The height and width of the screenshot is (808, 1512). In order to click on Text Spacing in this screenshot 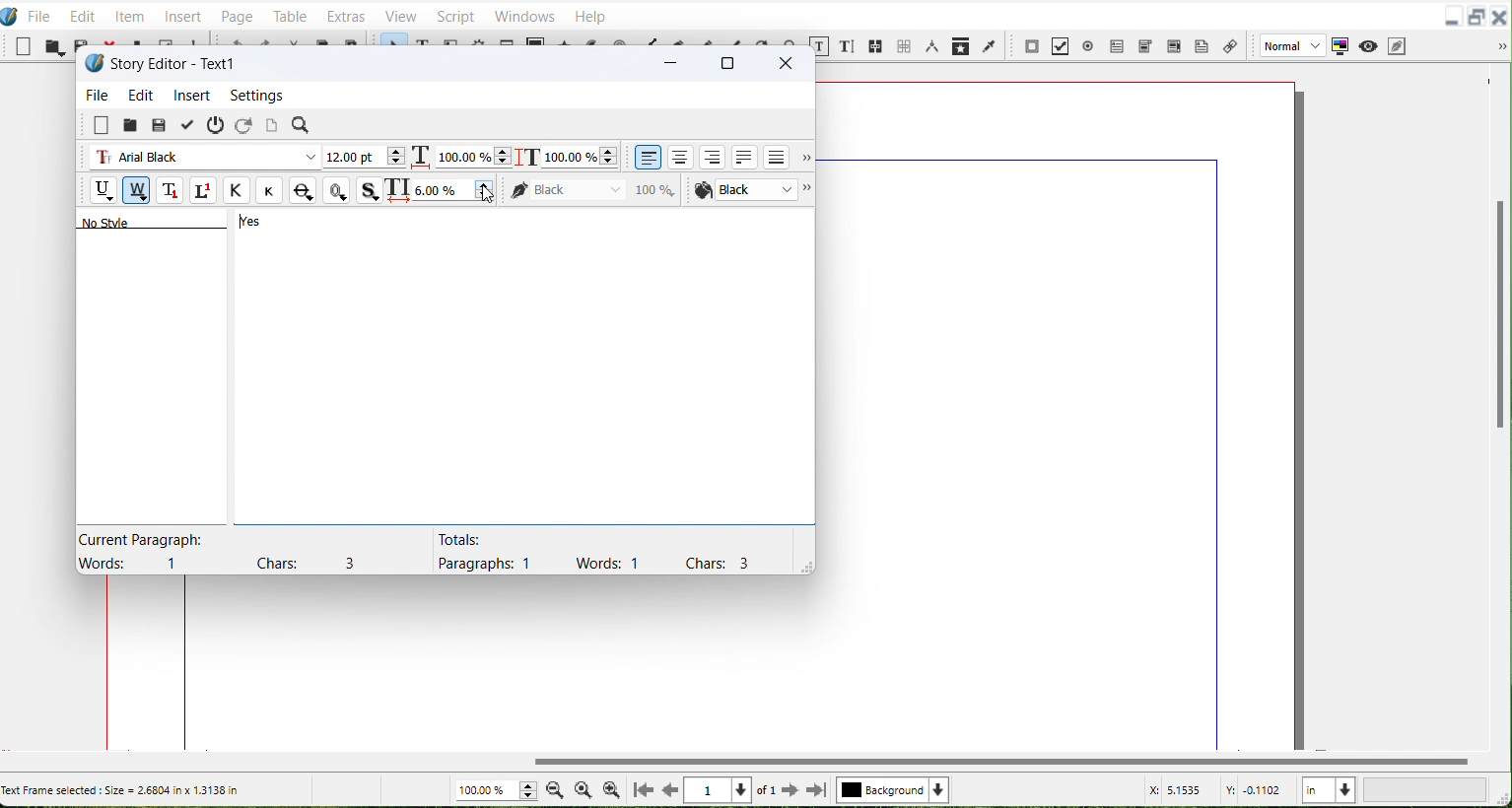, I will do `click(443, 188)`.